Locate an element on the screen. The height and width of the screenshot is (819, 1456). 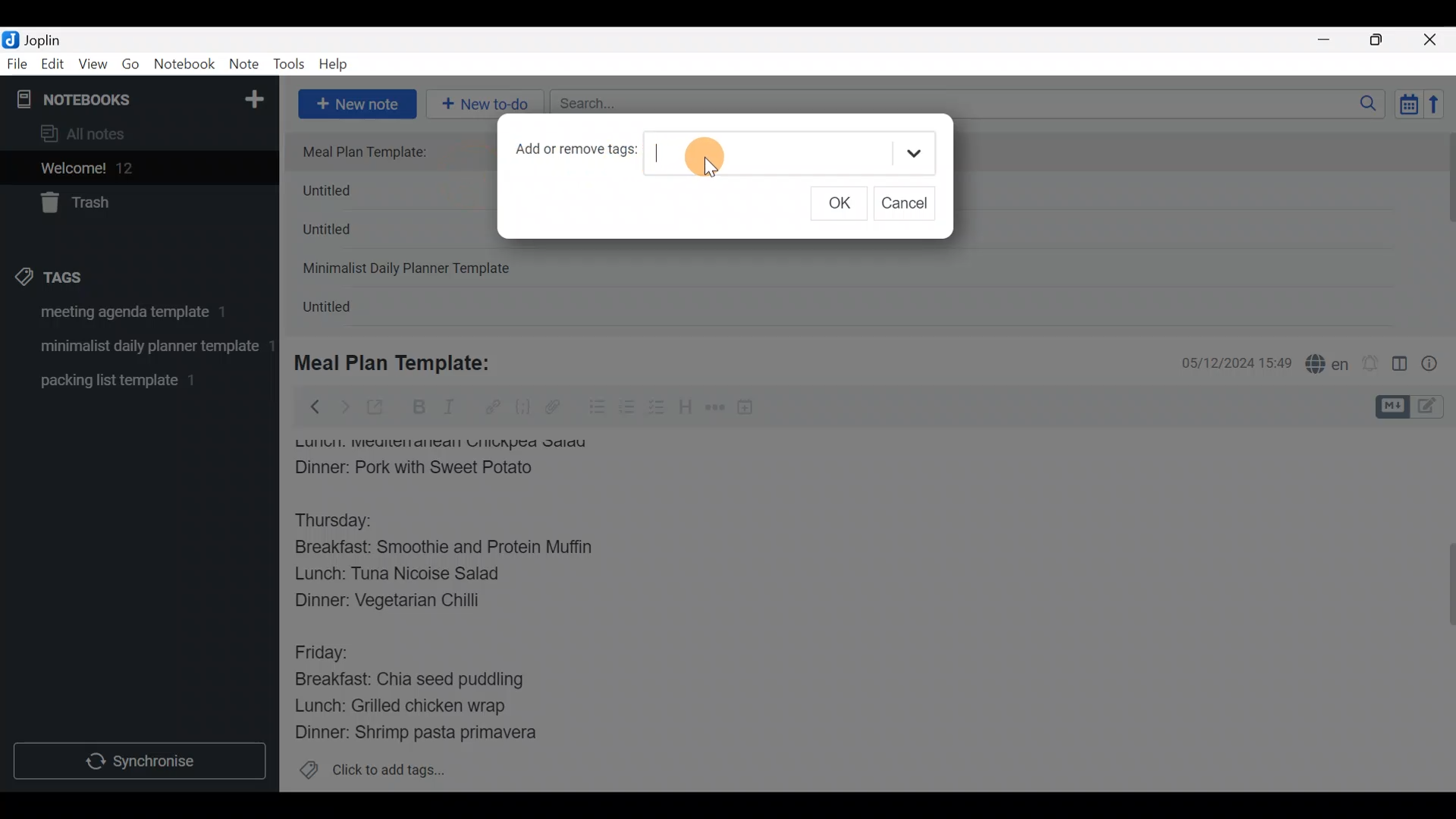
Lunch: Tuna Nicoise Salad is located at coordinates (410, 577).